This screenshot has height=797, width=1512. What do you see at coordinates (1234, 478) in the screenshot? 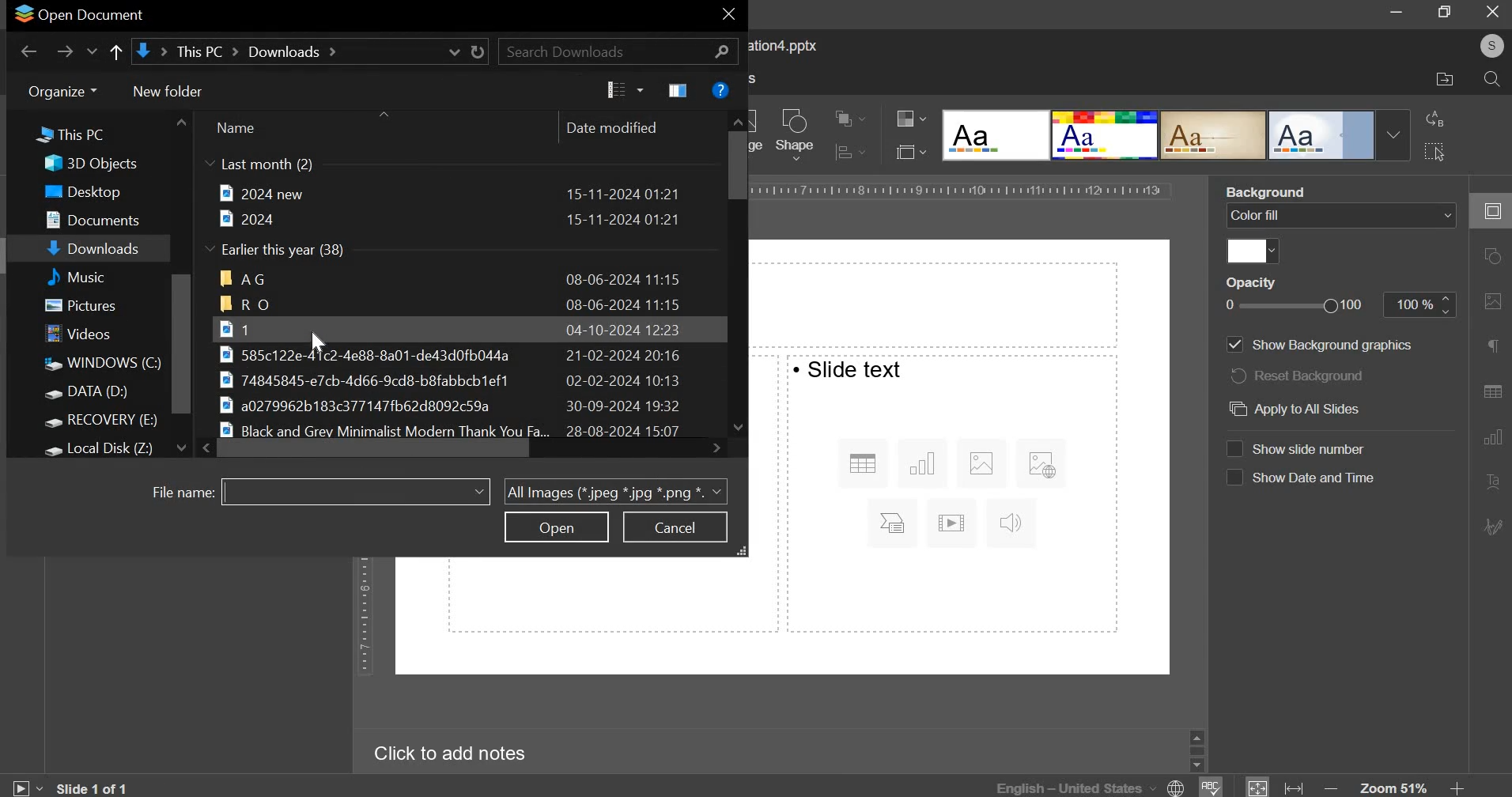
I see `check box` at bounding box center [1234, 478].